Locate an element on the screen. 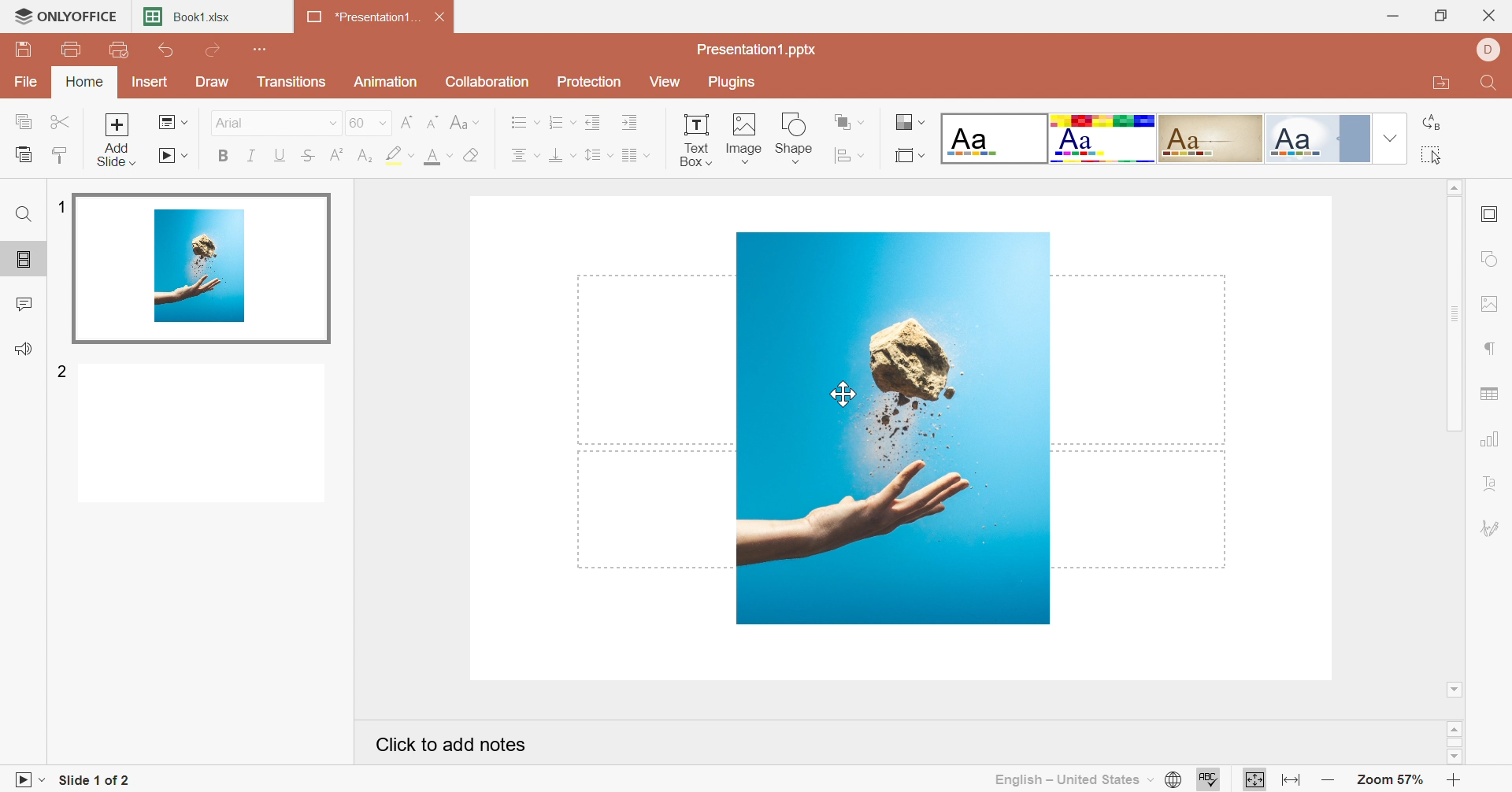 This screenshot has width=1512, height=792. Increase indent is located at coordinates (632, 120).